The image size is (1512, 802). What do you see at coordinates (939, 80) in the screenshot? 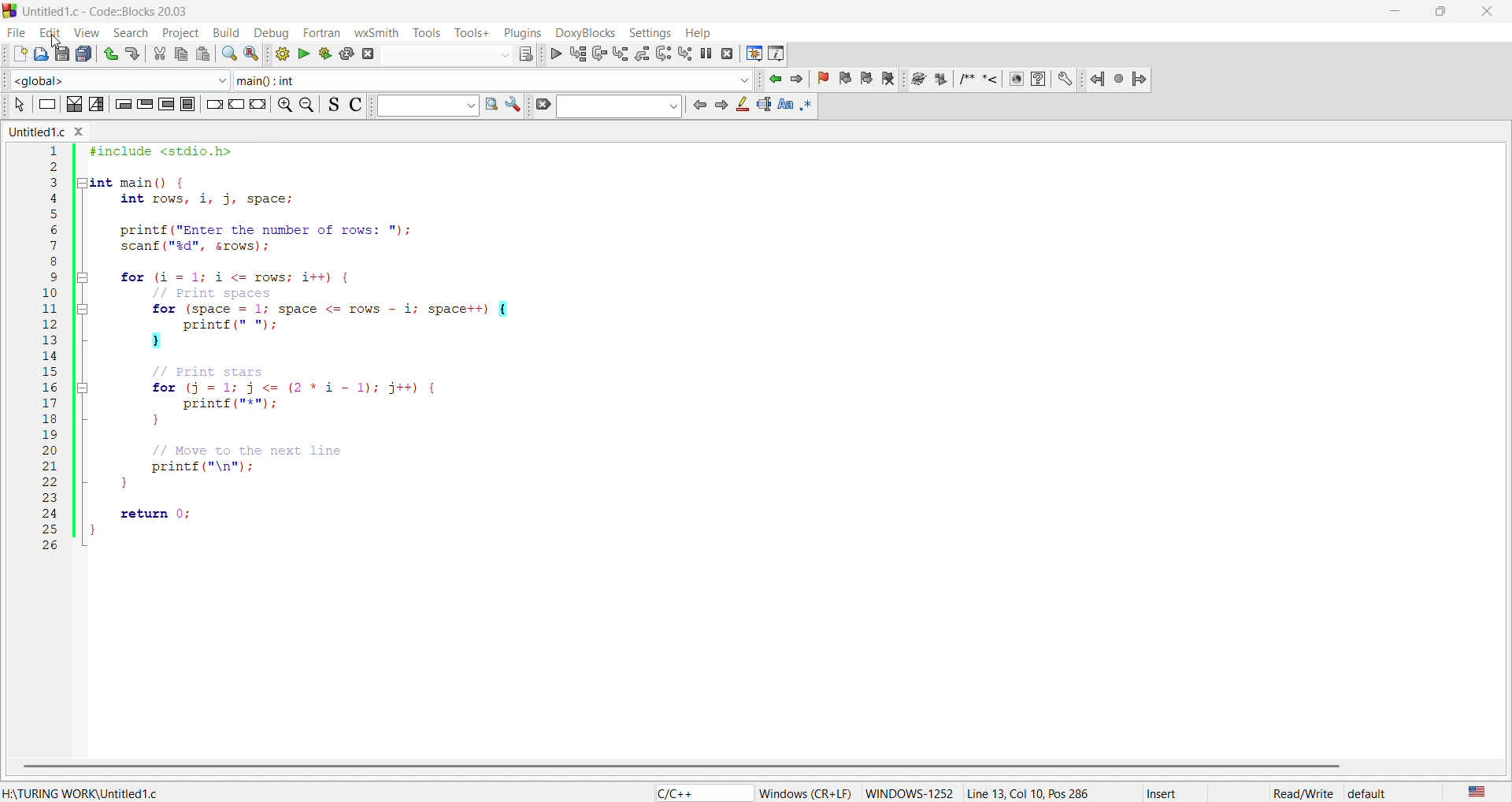
I see `Extract` at bounding box center [939, 80].